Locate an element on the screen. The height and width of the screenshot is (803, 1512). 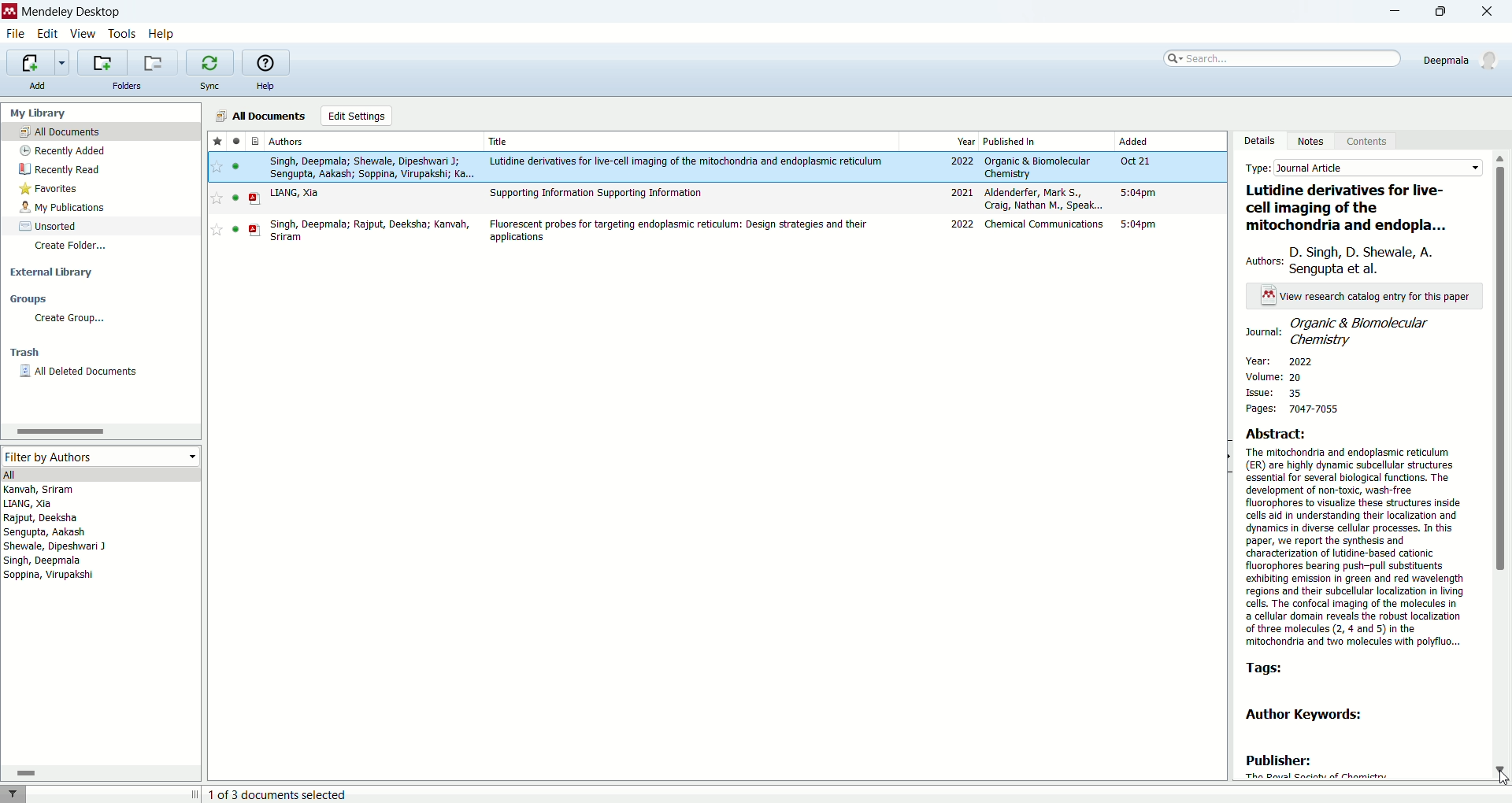
all documents is located at coordinates (101, 131).